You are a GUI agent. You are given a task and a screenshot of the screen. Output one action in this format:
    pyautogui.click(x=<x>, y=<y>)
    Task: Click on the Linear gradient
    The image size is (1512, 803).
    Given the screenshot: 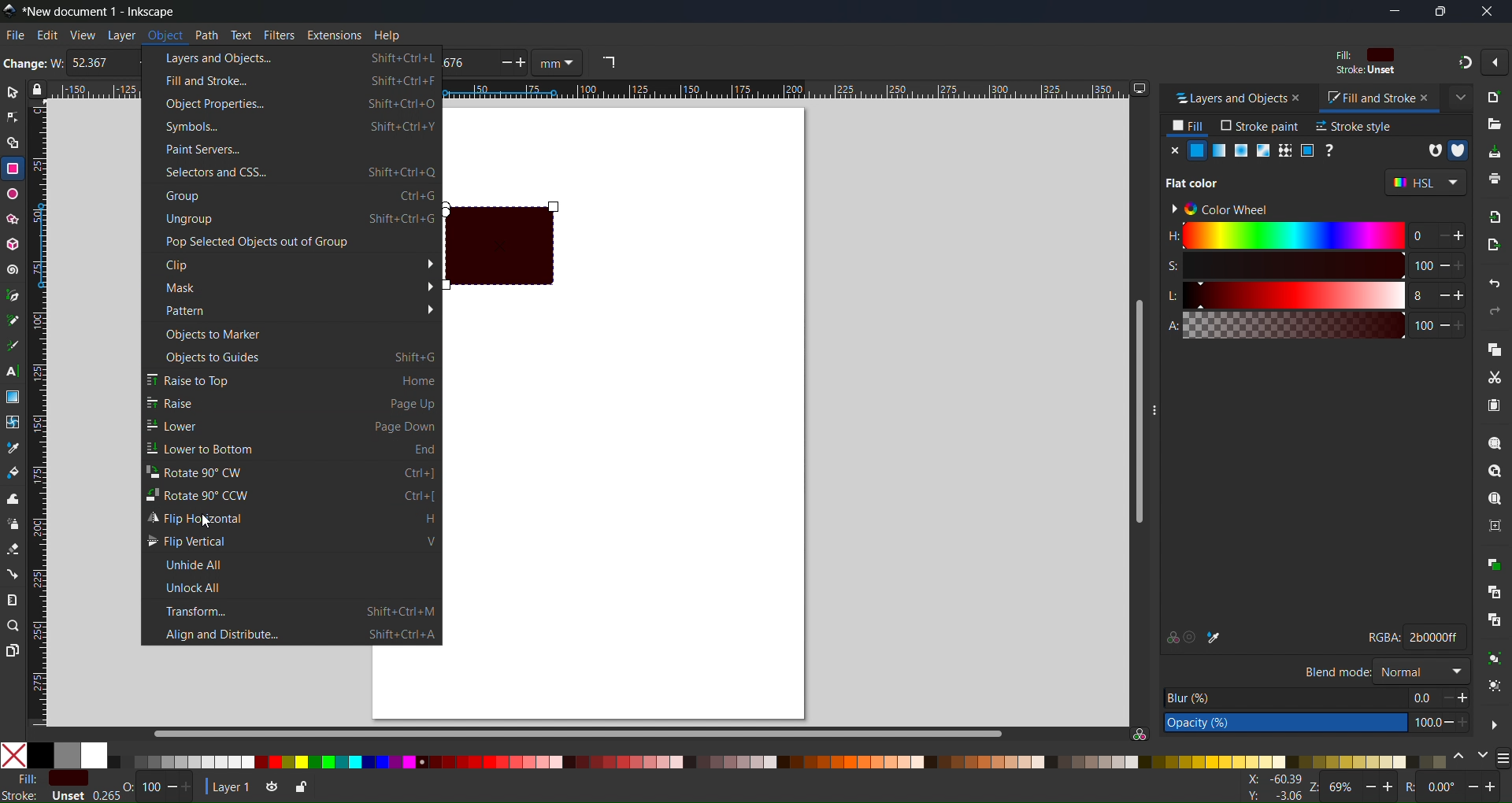 What is the action you would take?
    pyautogui.click(x=1220, y=150)
    